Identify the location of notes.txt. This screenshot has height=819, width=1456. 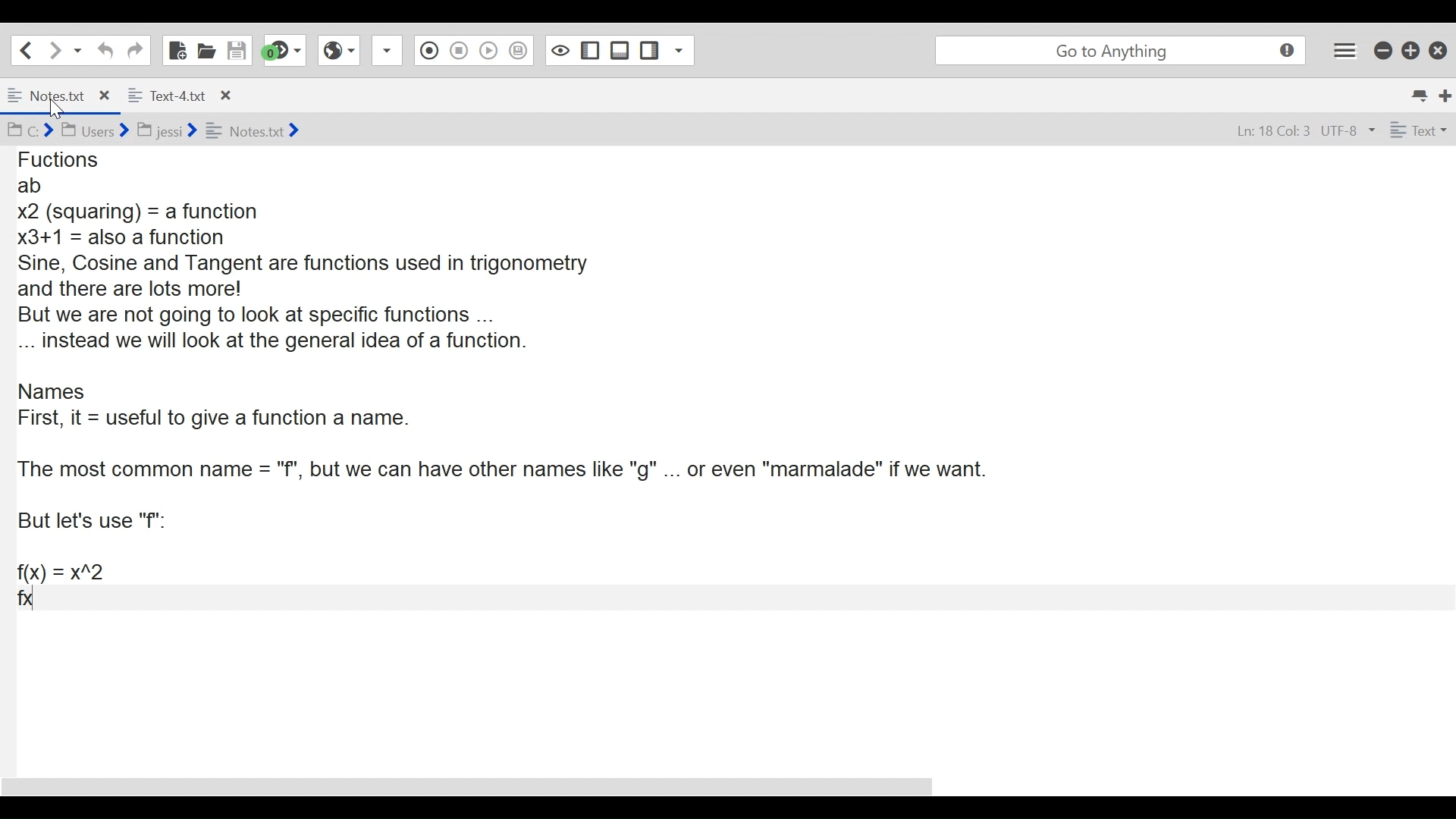
(48, 94).